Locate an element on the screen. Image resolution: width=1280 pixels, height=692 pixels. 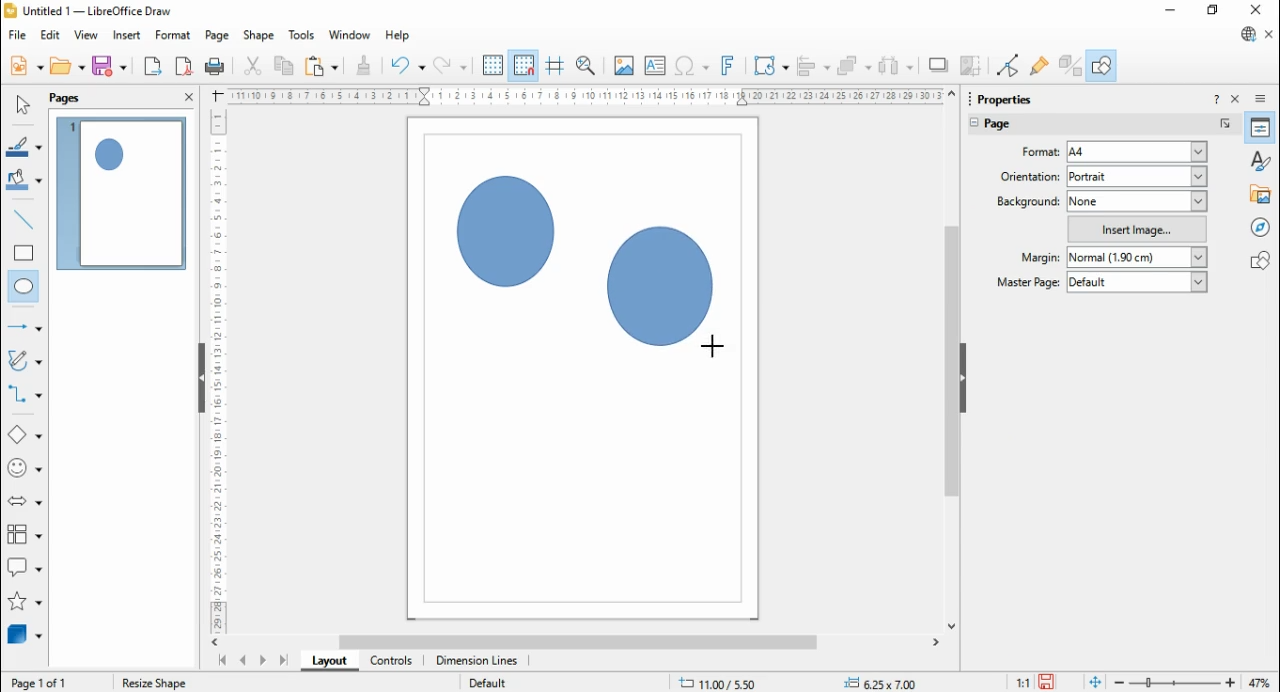
normal is located at coordinates (1137, 258).